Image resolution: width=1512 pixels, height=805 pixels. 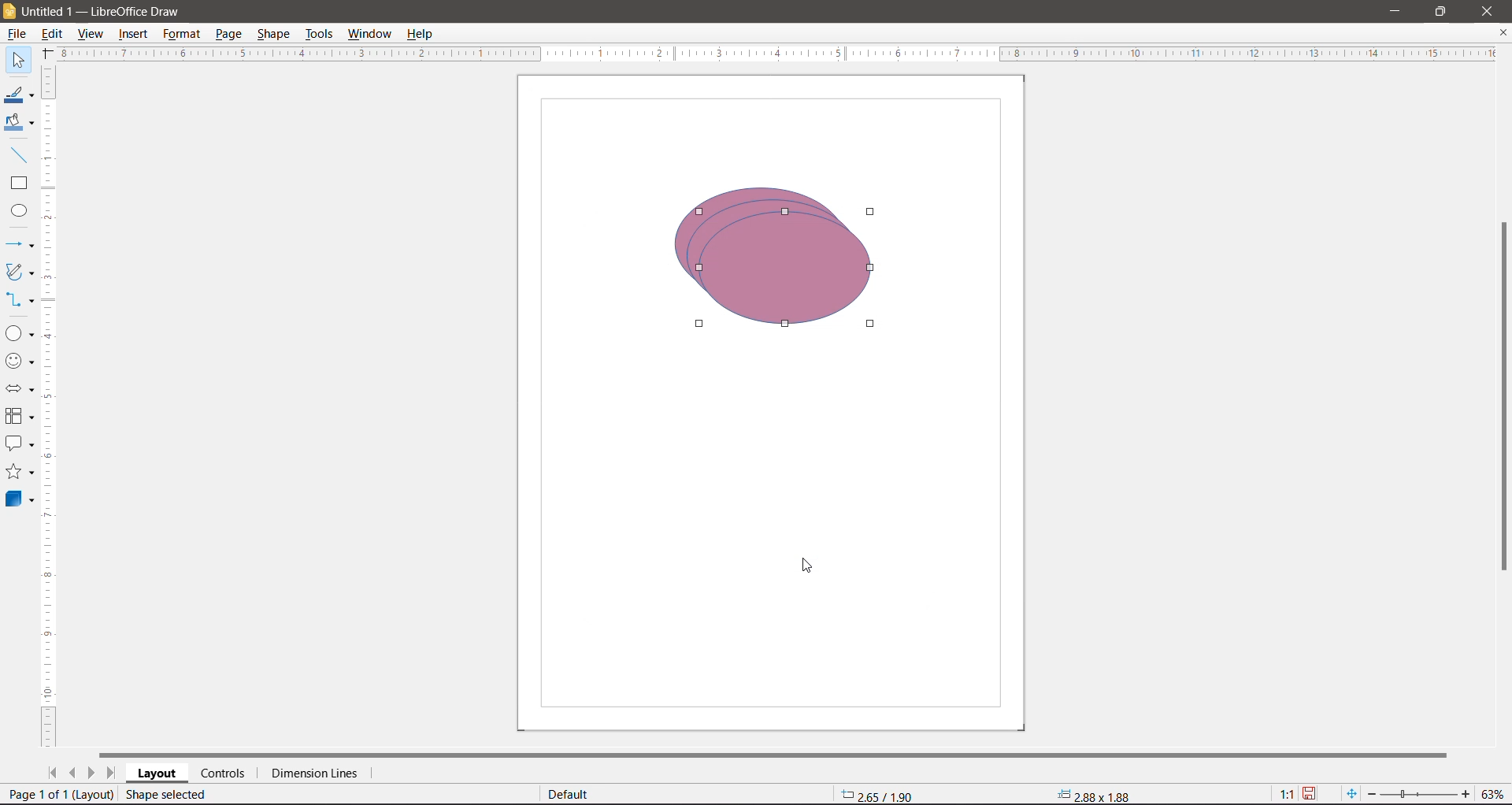 What do you see at coordinates (20, 443) in the screenshot?
I see `Callout Shapes` at bounding box center [20, 443].